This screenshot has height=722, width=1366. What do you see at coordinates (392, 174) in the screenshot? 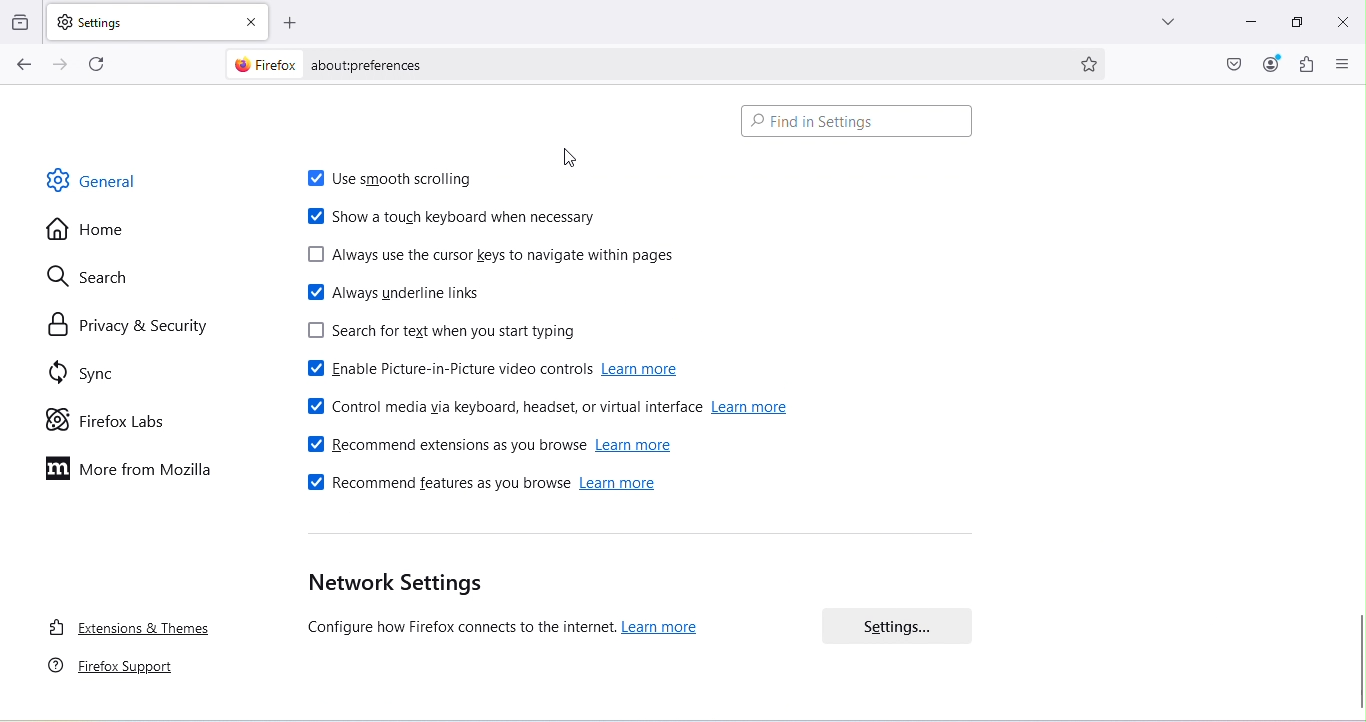
I see `Use smooth scrolling` at bounding box center [392, 174].